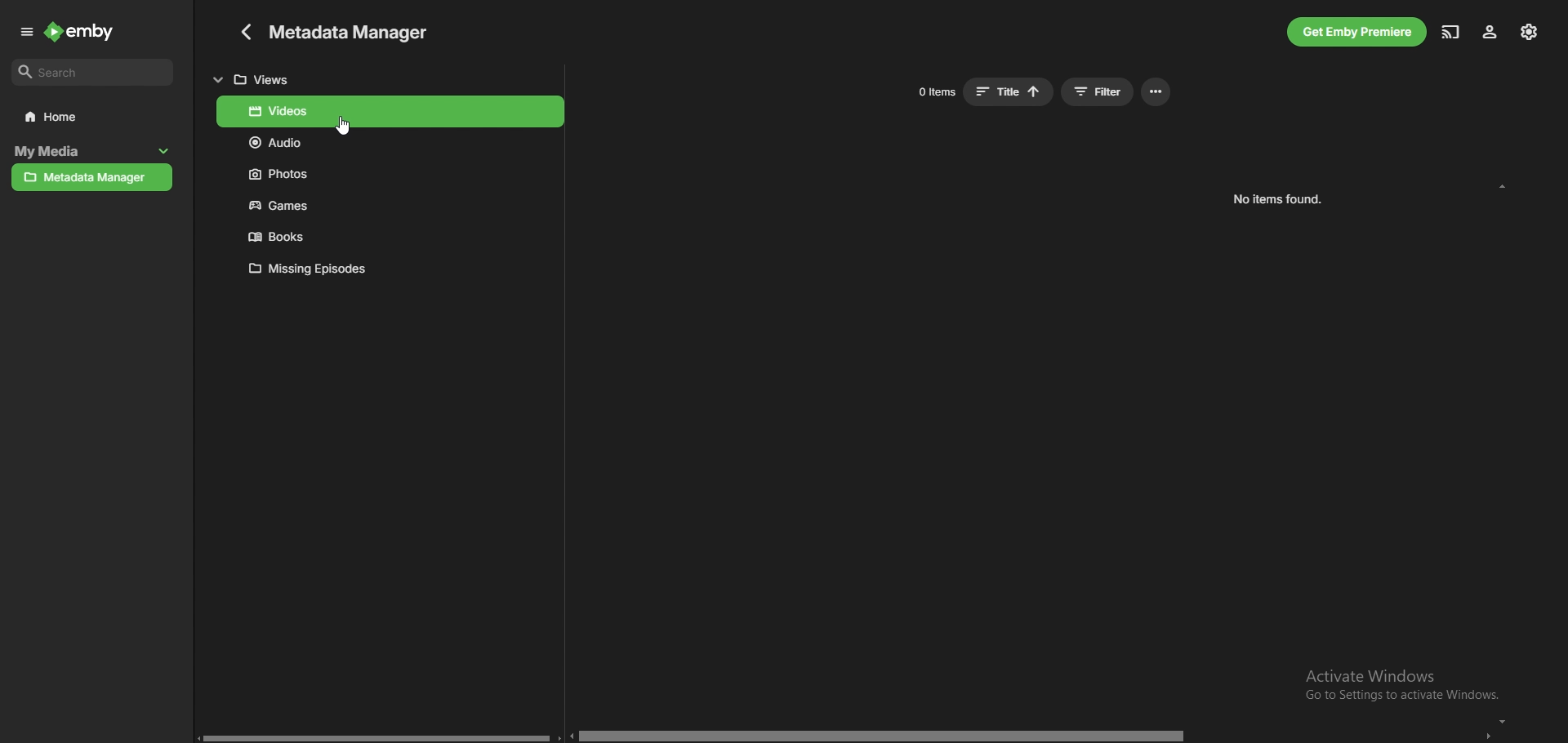  What do you see at coordinates (1450, 32) in the screenshot?
I see `cast` at bounding box center [1450, 32].